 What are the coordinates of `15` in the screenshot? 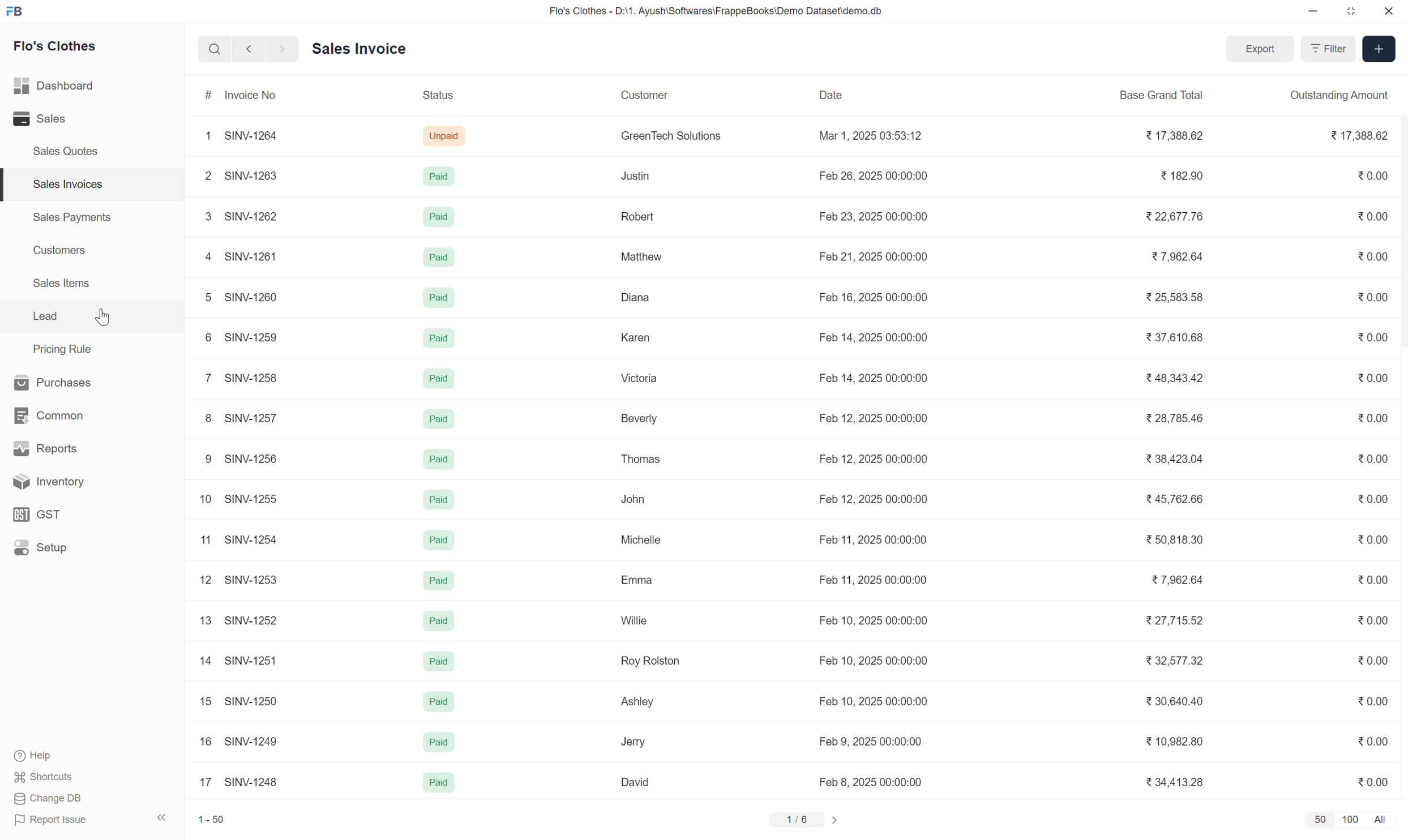 It's located at (200, 701).